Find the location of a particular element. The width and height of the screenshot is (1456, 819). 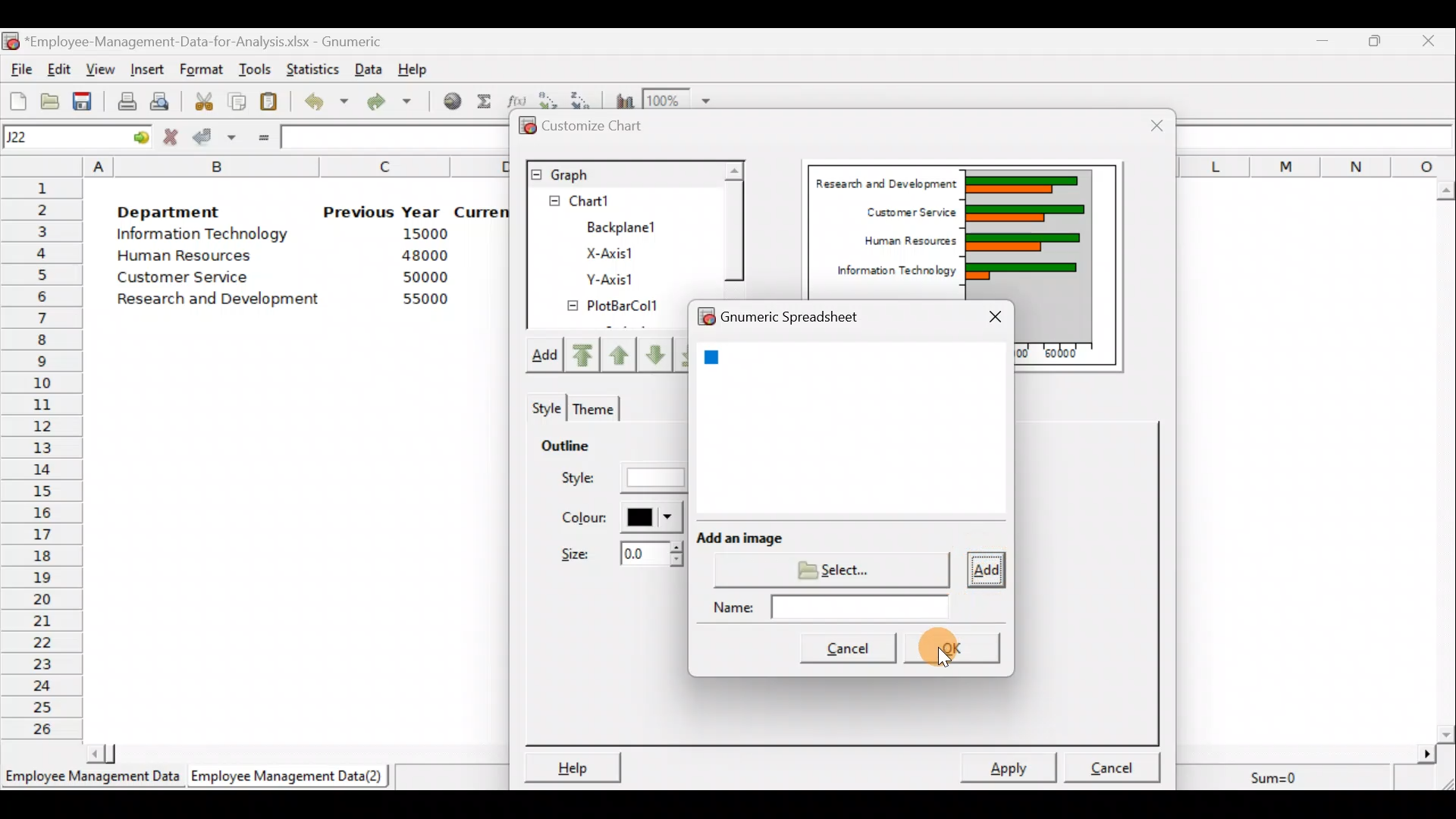

Style is located at coordinates (544, 406).